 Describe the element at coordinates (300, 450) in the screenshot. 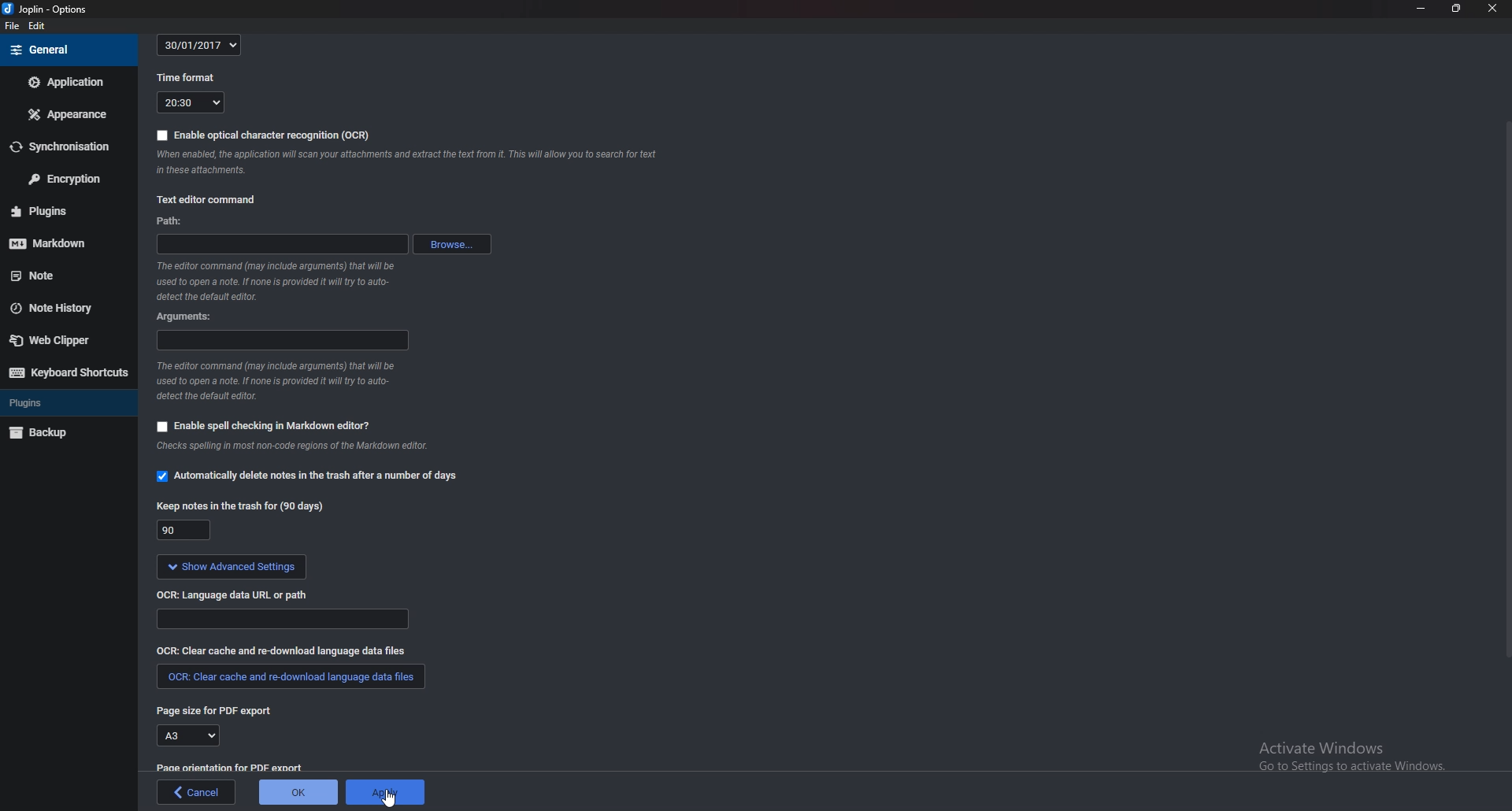

I see `Info on spell checking` at that location.